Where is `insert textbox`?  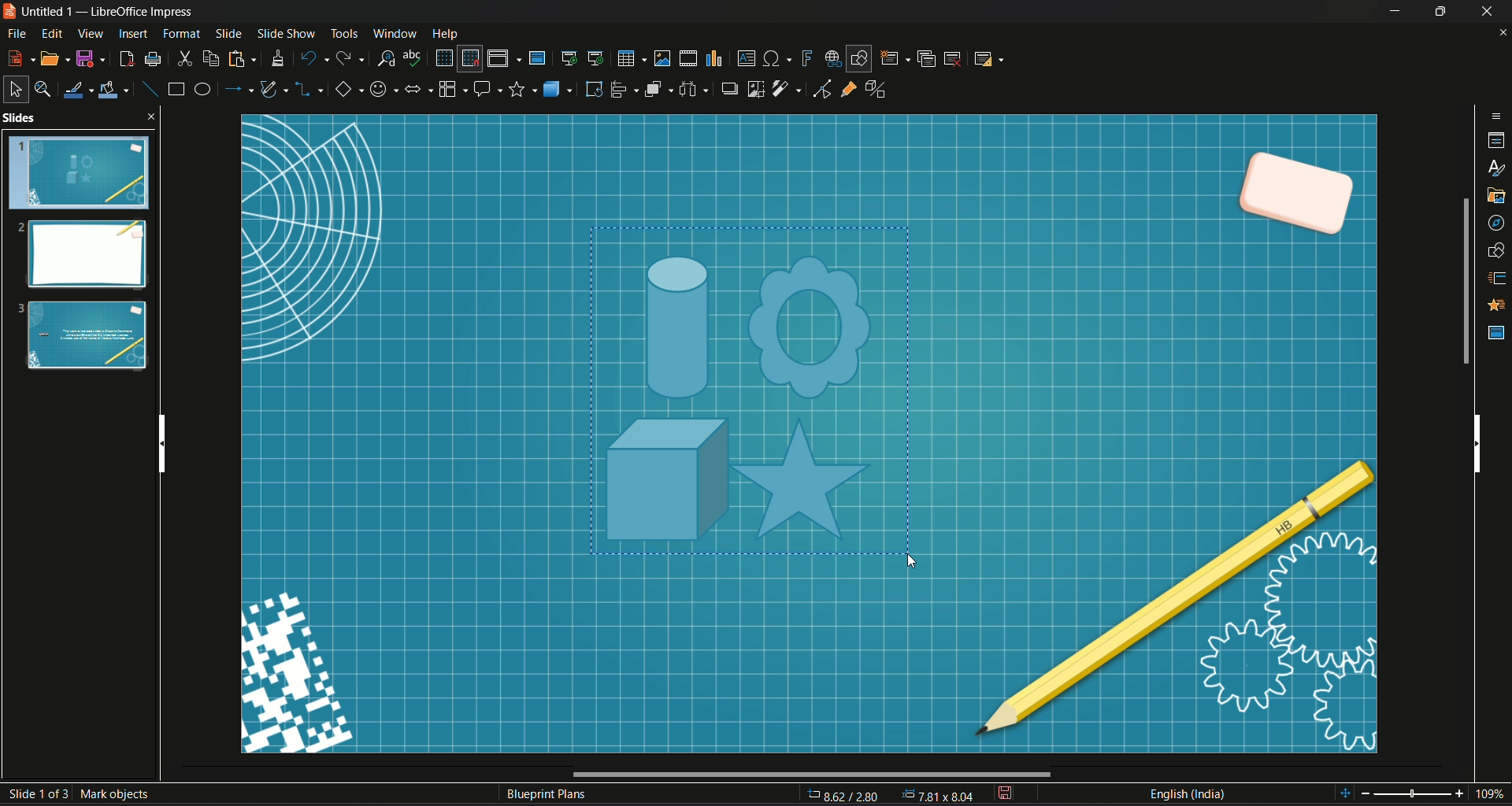 insert textbox is located at coordinates (745, 57).